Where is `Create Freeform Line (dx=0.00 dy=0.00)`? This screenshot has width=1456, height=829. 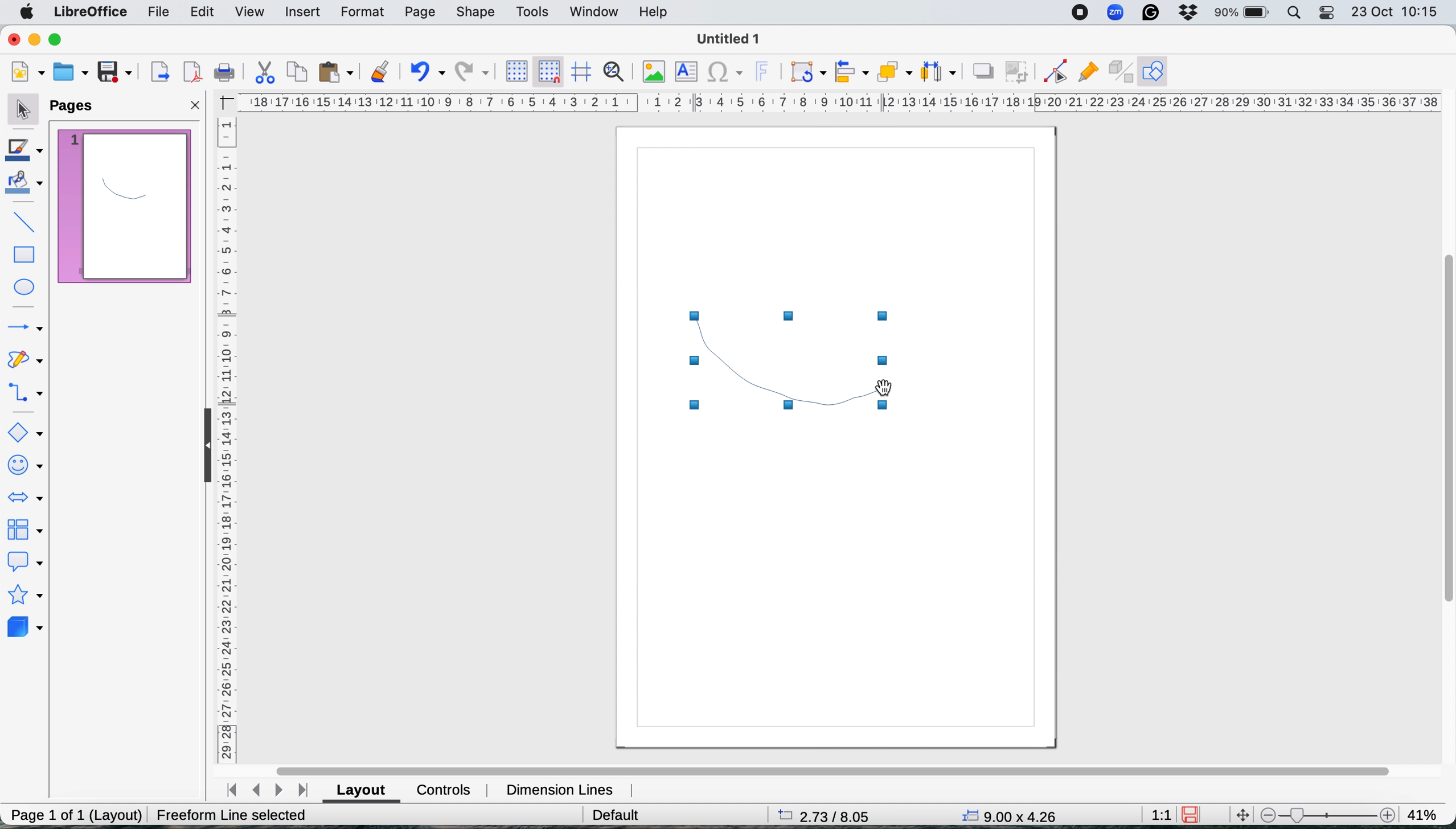
Create Freeform Line (dx=0.00 dy=0.00) is located at coordinates (289, 814).